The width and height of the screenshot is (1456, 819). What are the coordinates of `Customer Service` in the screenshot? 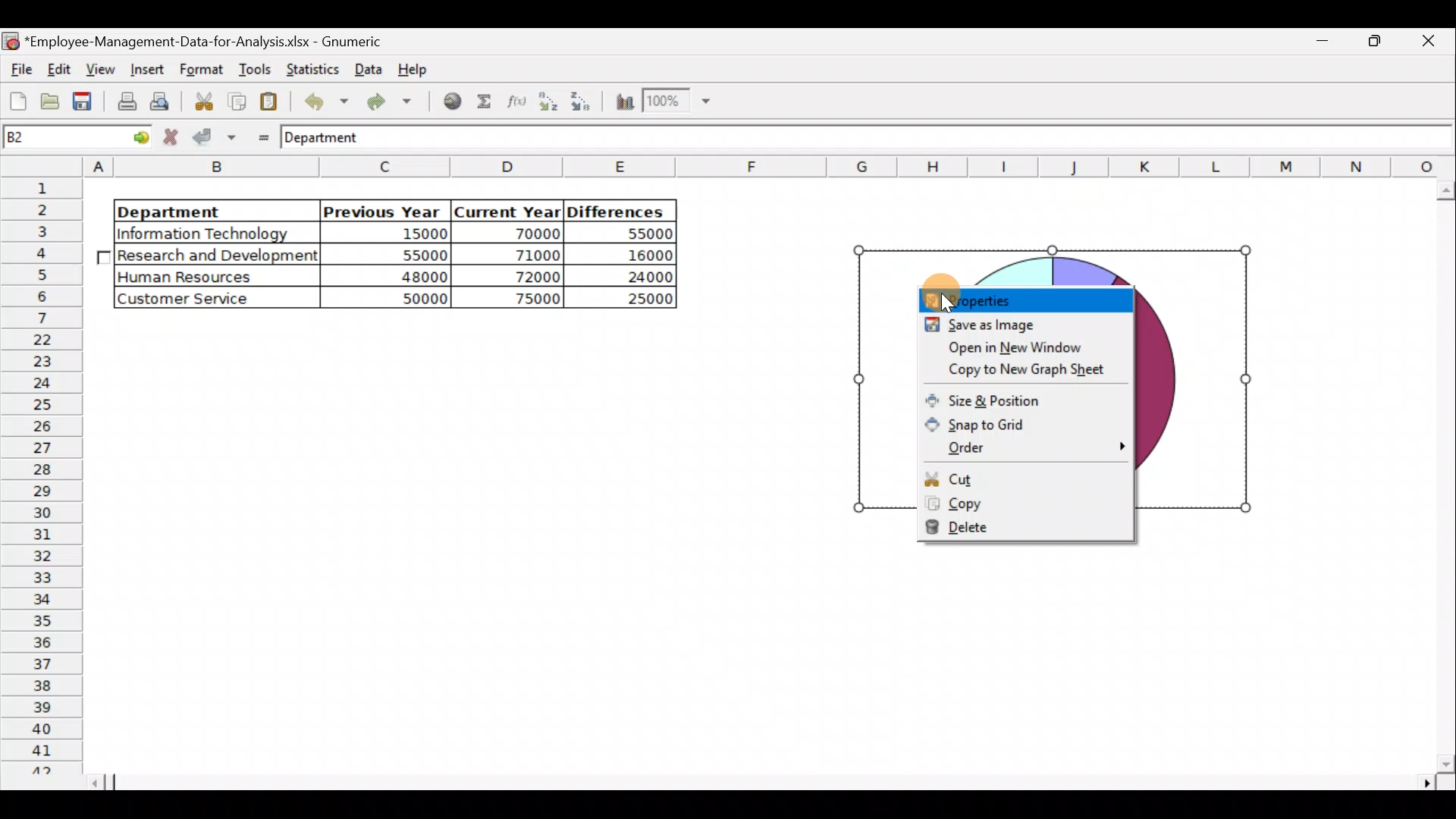 It's located at (201, 299).